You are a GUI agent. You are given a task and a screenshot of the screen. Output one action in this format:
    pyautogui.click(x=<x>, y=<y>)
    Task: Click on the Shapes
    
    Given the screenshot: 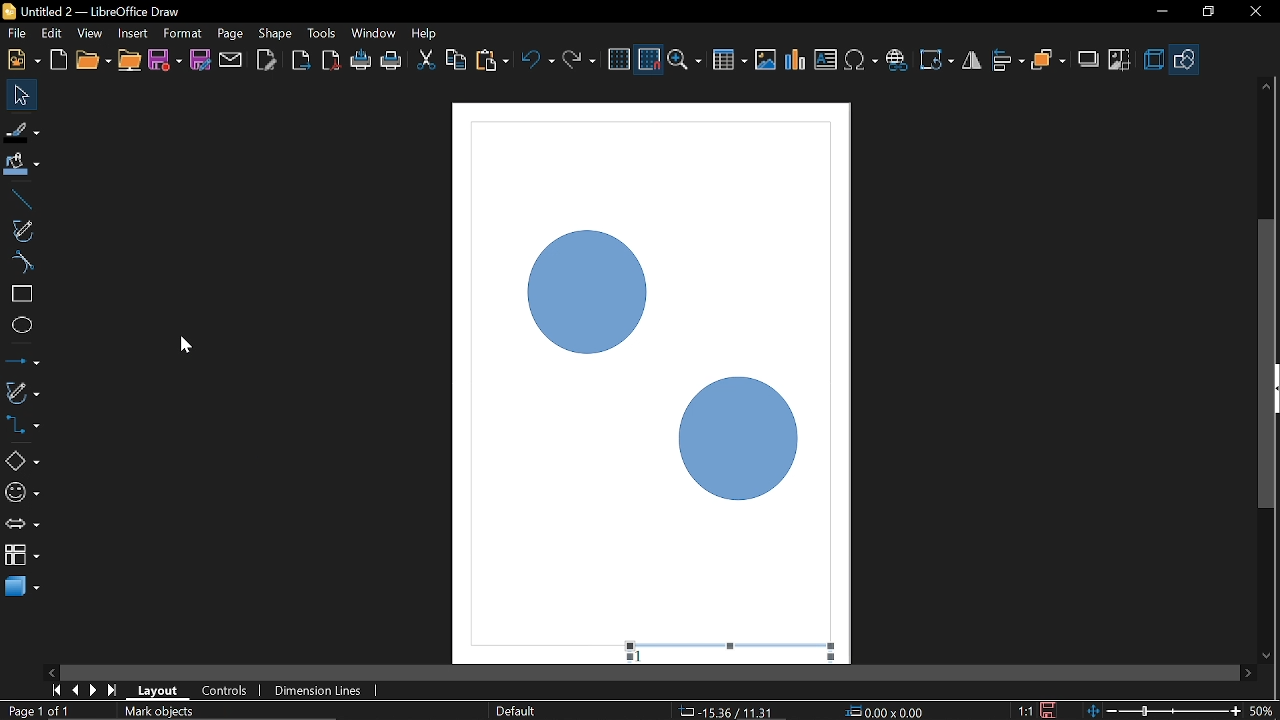 What is the action you would take?
    pyautogui.click(x=21, y=460)
    